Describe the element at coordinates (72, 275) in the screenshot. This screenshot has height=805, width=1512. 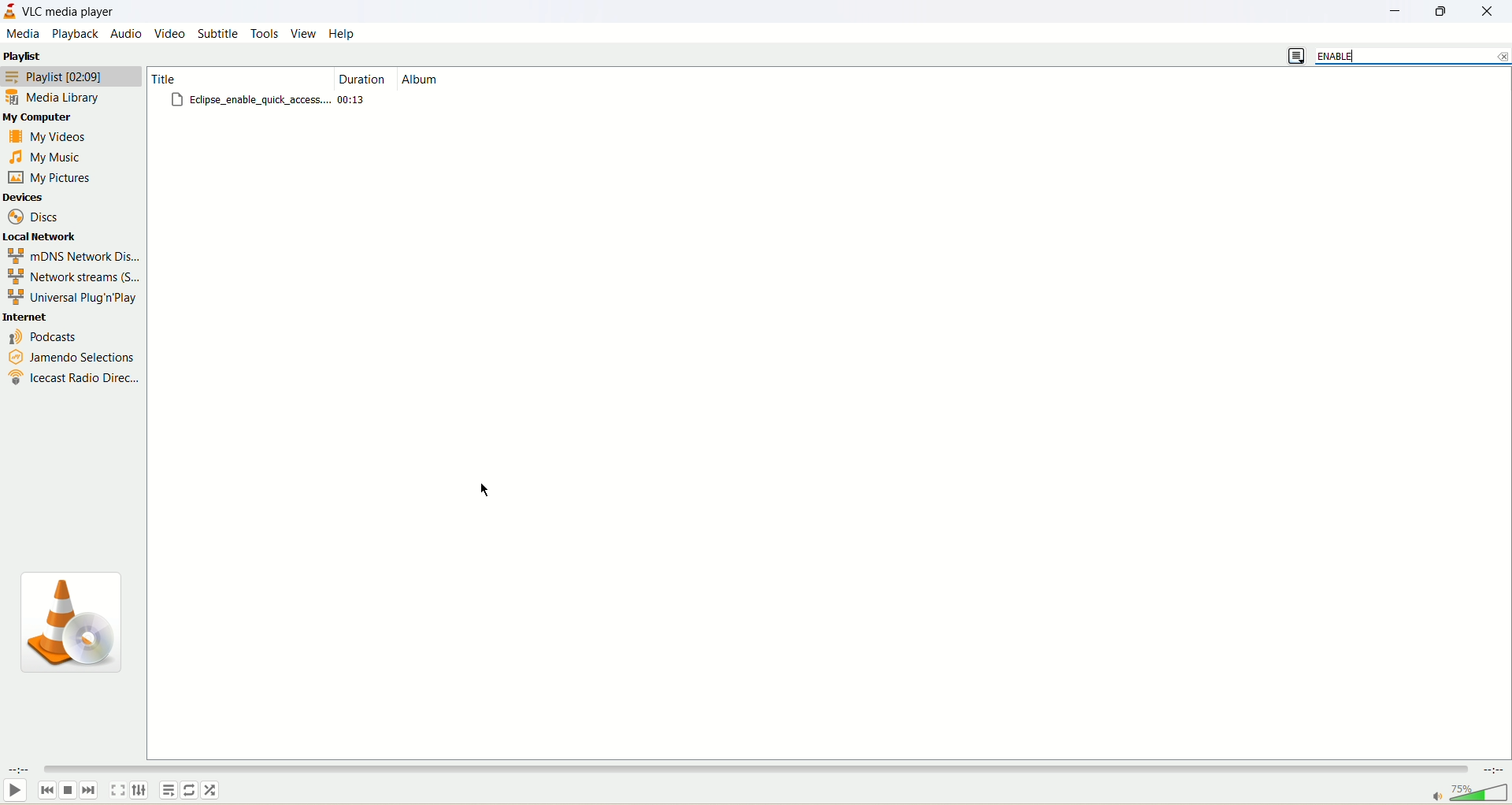
I see `network streams` at that location.